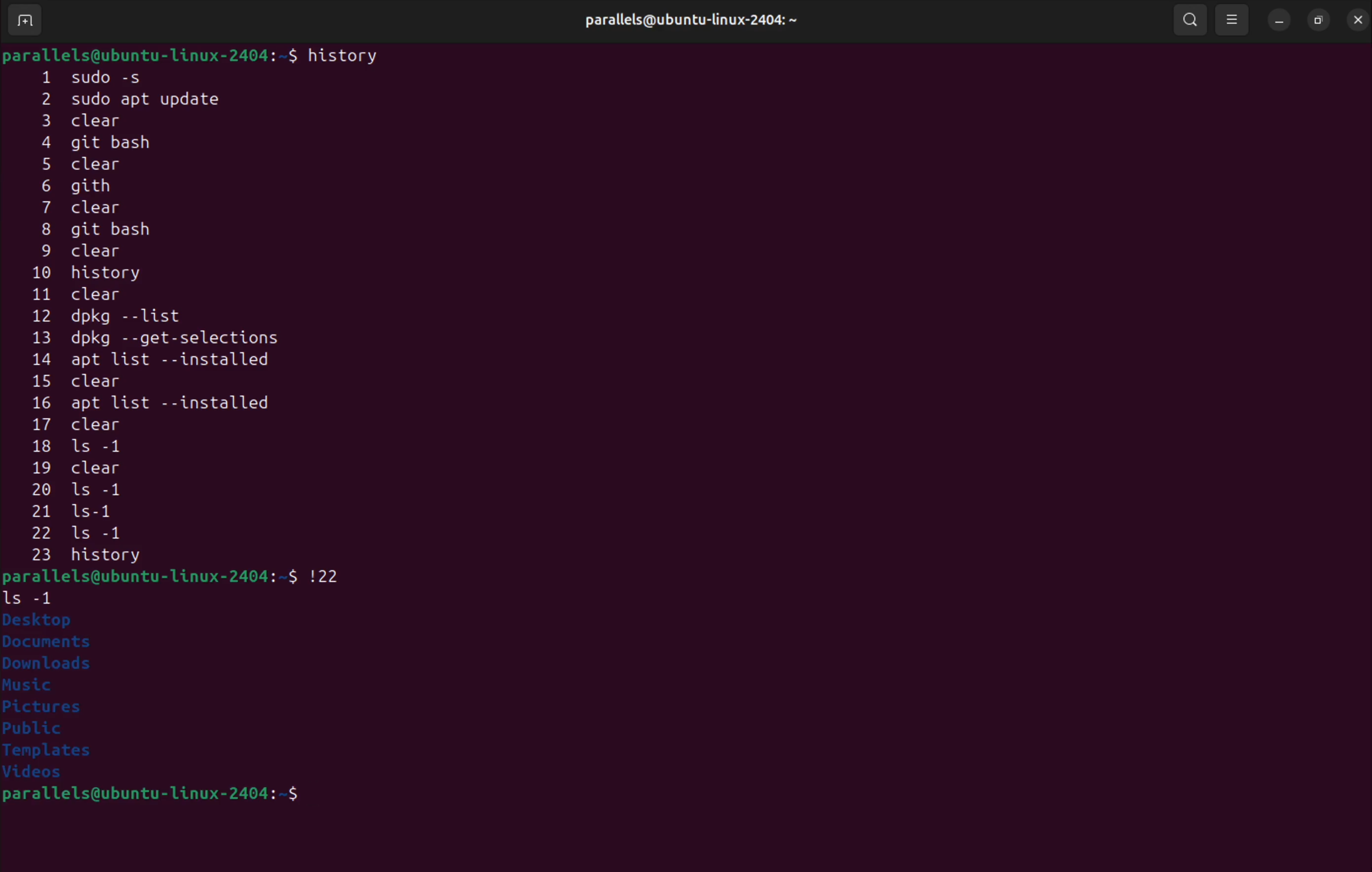 This screenshot has height=872, width=1372. Describe the element at coordinates (149, 54) in the screenshot. I see `bash prompts` at that location.